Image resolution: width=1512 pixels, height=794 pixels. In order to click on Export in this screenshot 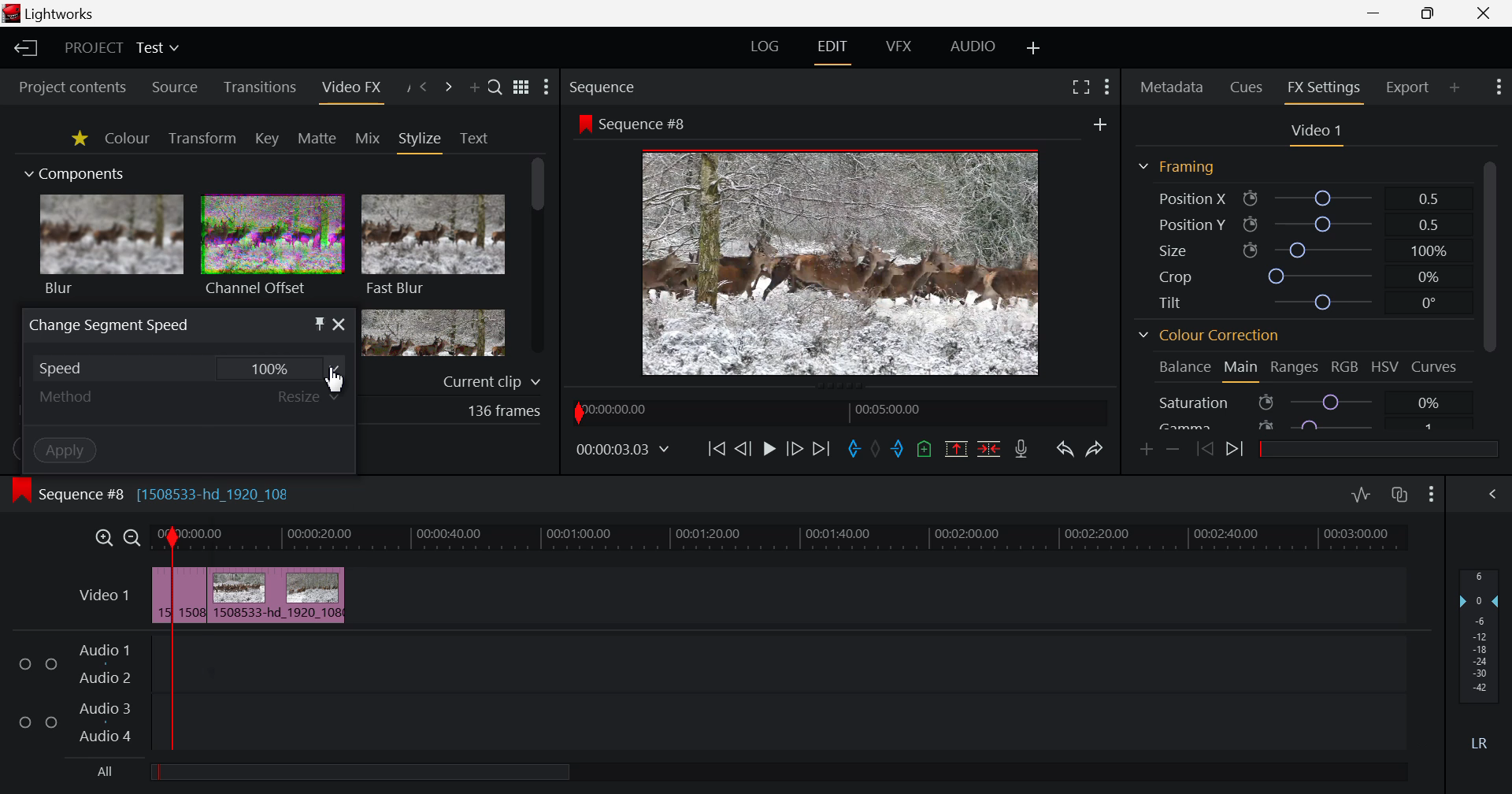, I will do `click(1409, 87)`.